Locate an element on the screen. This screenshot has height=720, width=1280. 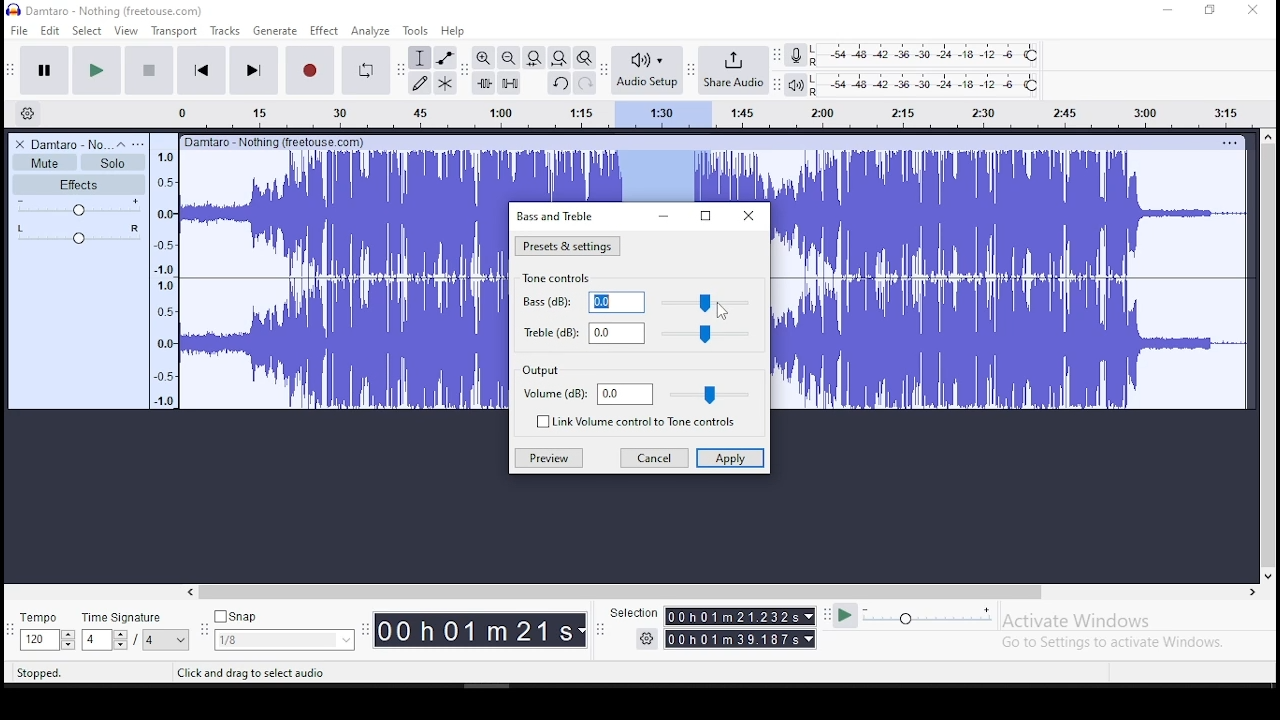
presets and settings is located at coordinates (566, 246).